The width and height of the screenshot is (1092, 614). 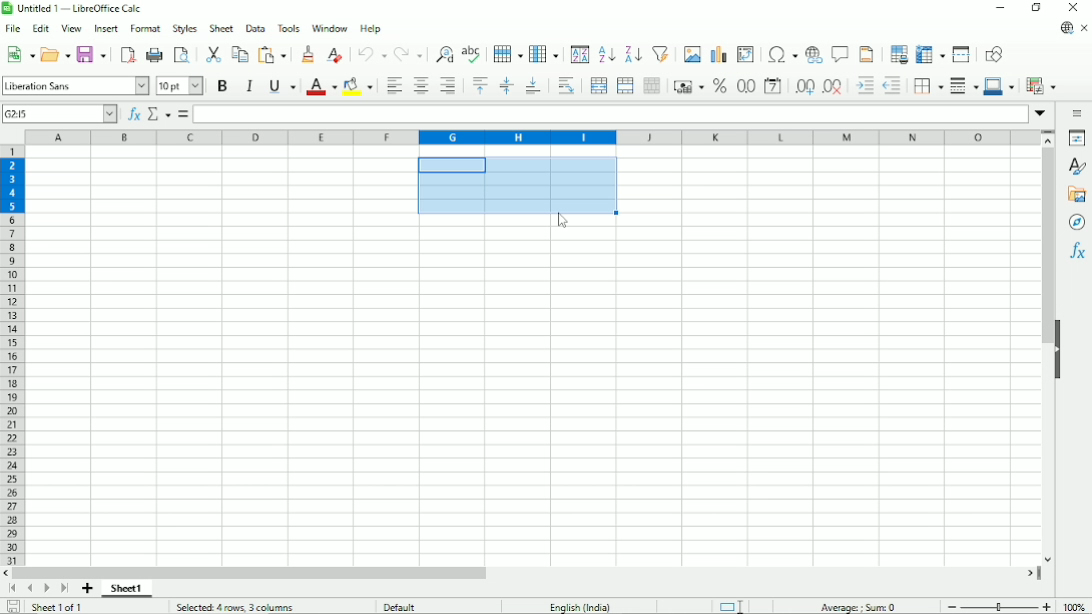 What do you see at coordinates (129, 589) in the screenshot?
I see `Sheet 1` at bounding box center [129, 589].